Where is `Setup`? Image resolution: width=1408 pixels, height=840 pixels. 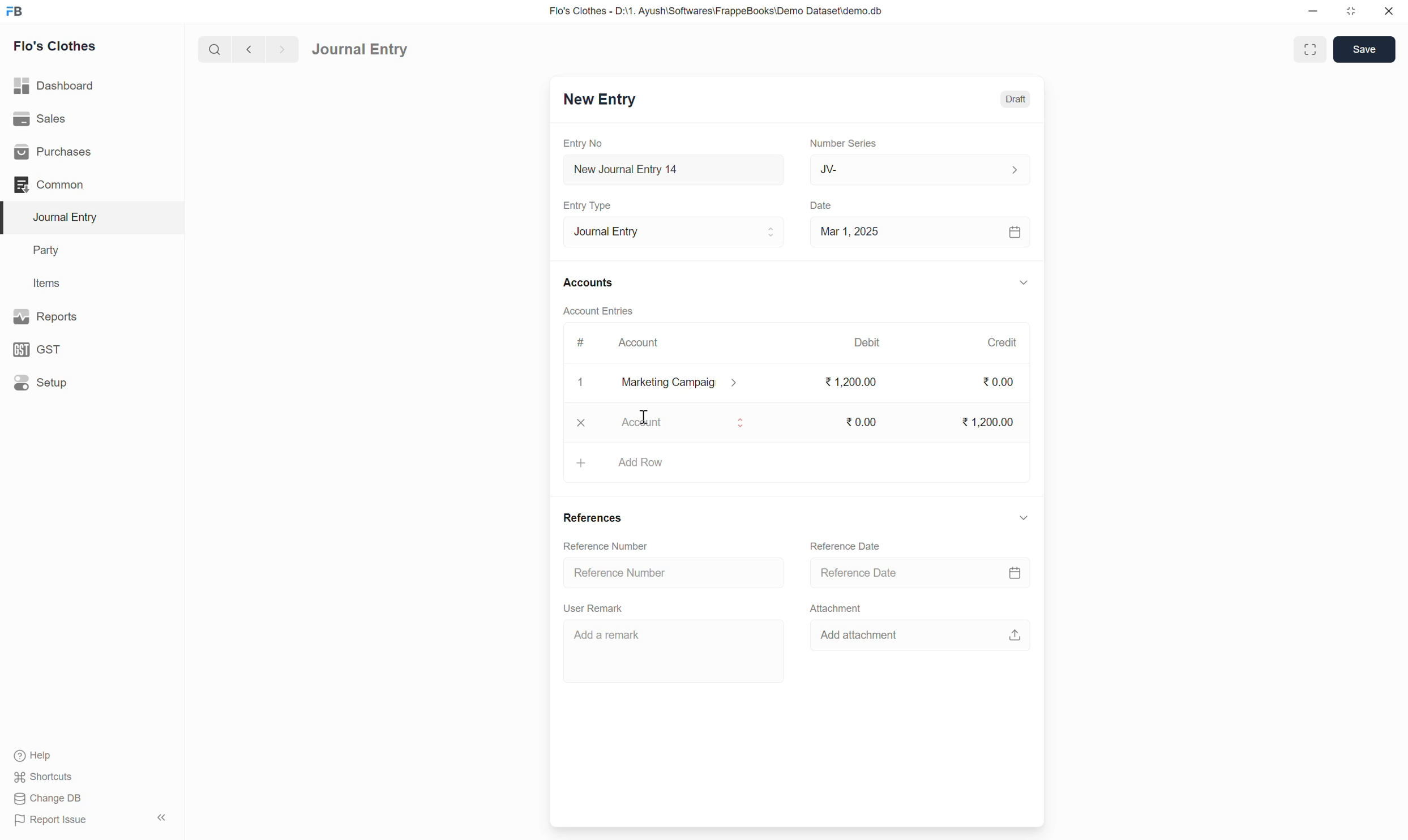
Setup is located at coordinates (41, 382).